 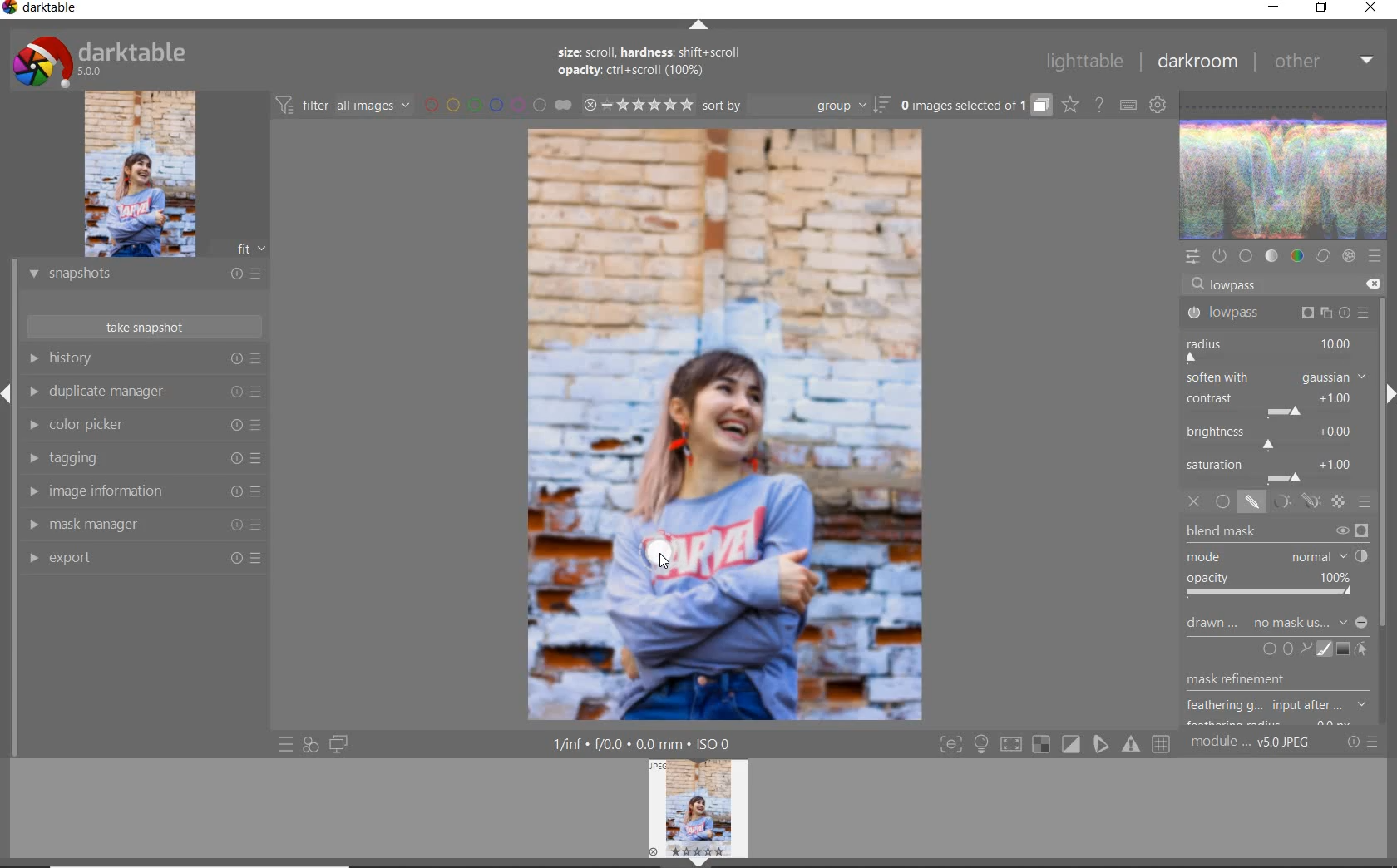 What do you see at coordinates (1364, 742) in the screenshot?
I see `reset or presets and preferences` at bounding box center [1364, 742].